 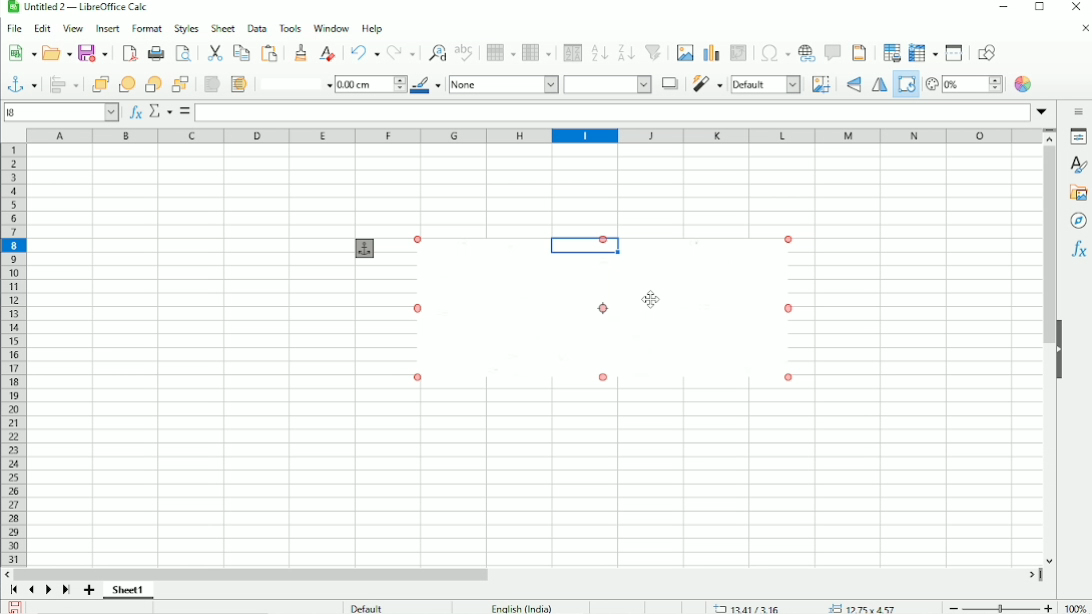 I want to click on Insert image, so click(x=684, y=53).